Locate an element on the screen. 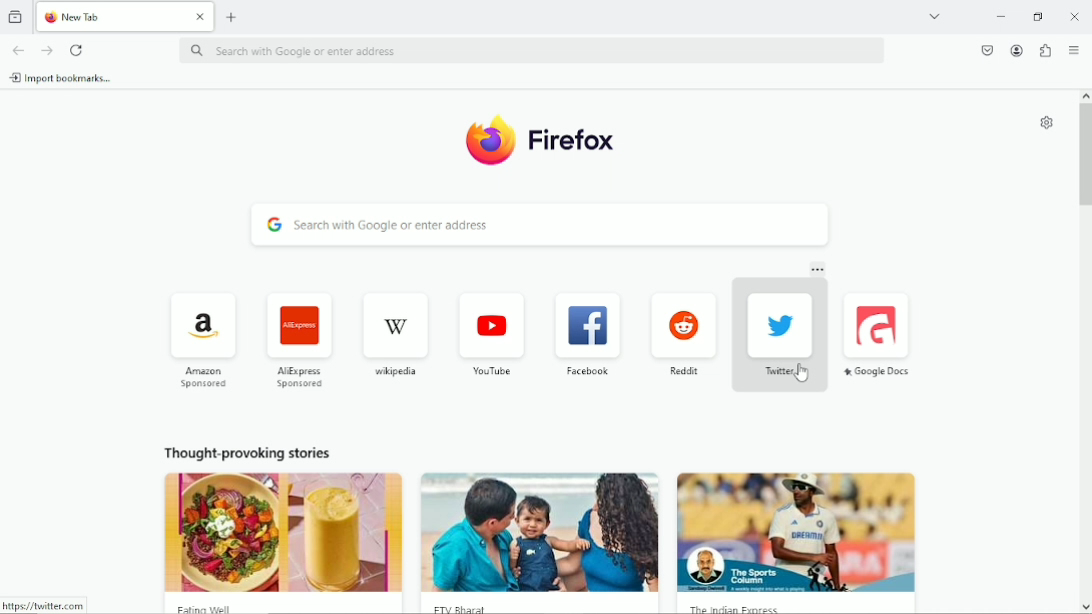 The height and width of the screenshot is (614, 1092). new tab is located at coordinates (232, 16).